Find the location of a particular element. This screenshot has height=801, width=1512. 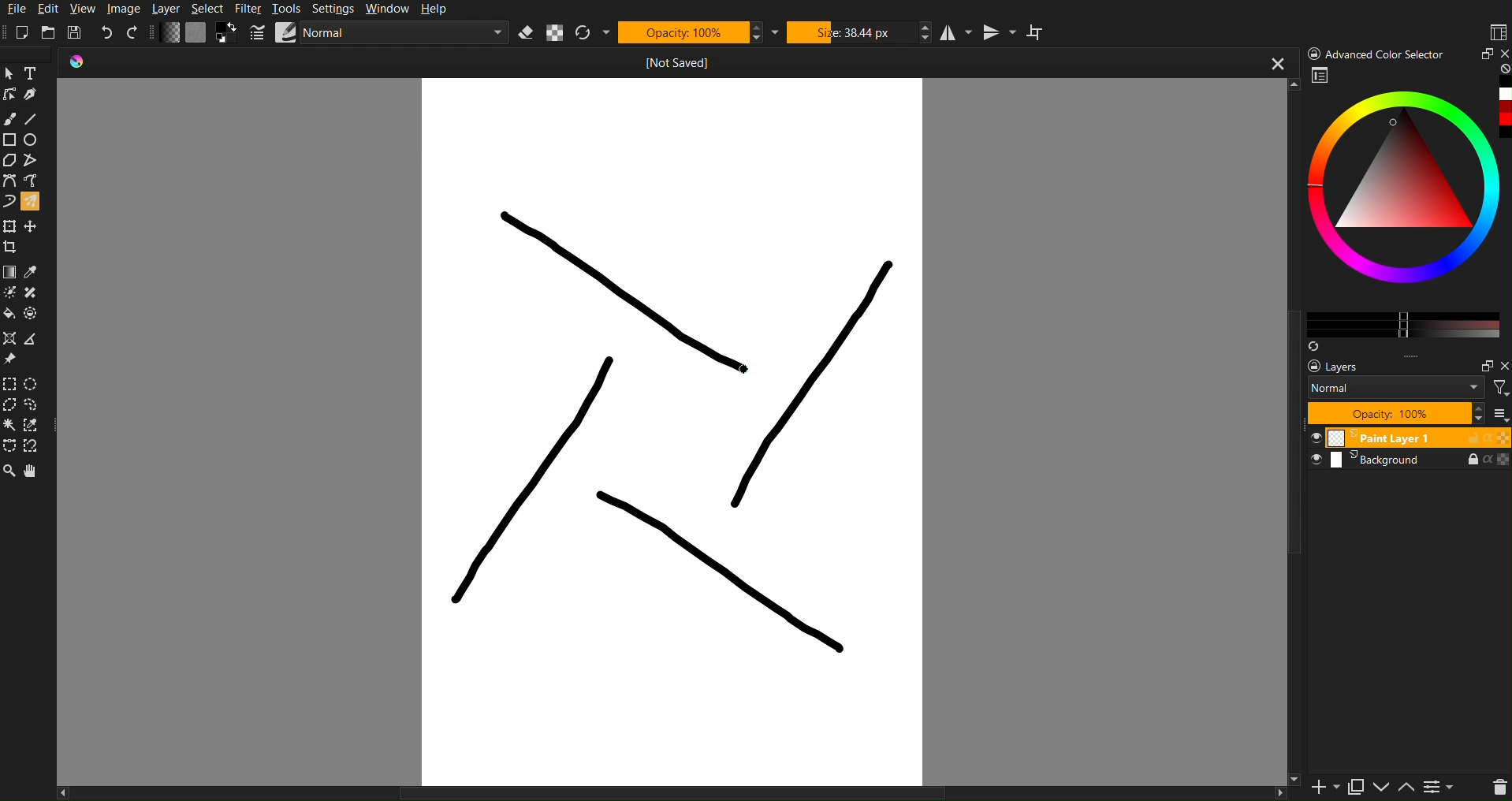

minimize is located at coordinates (1481, 363).